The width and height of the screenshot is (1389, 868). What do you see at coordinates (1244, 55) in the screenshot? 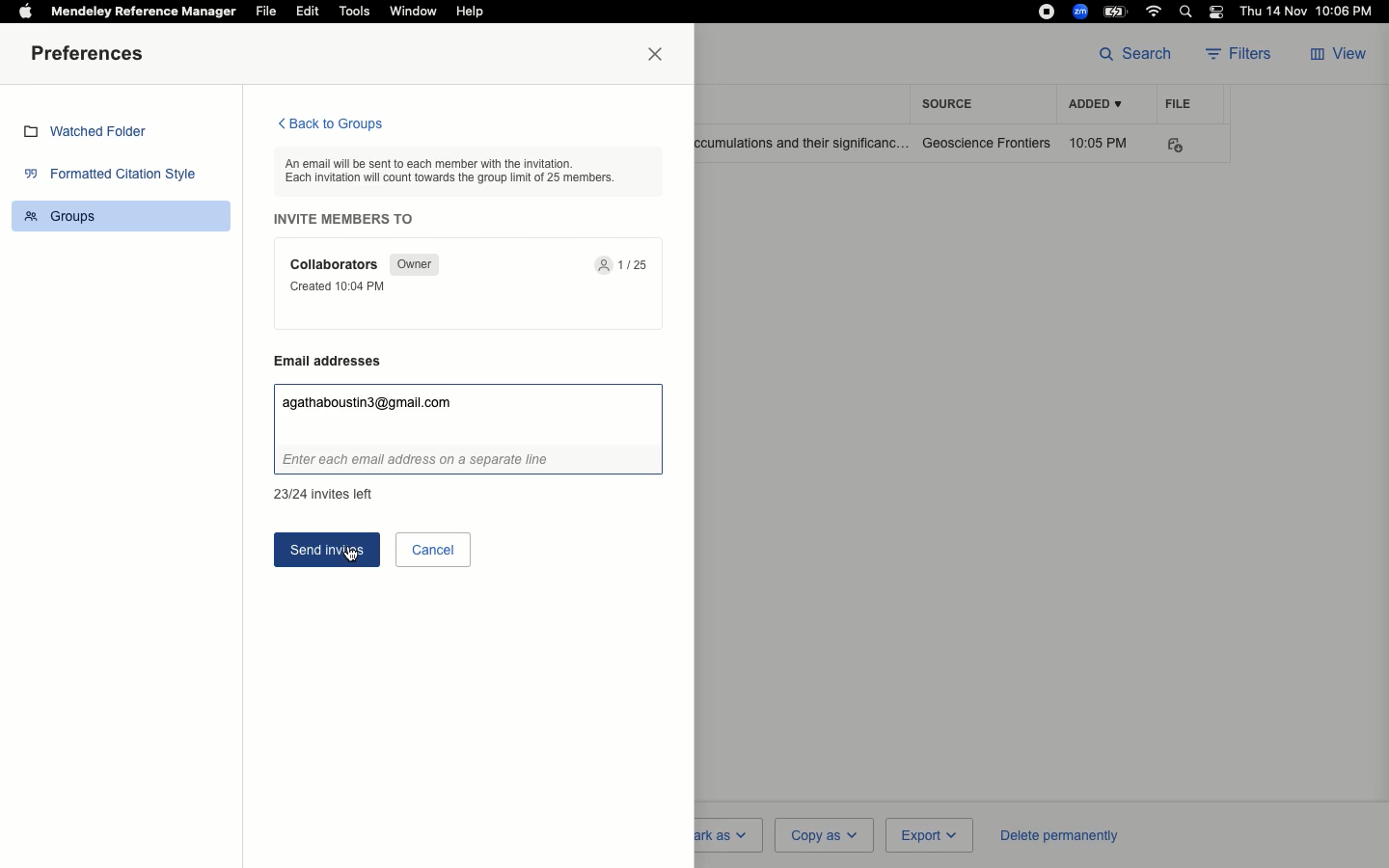
I see `Filters` at bounding box center [1244, 55].